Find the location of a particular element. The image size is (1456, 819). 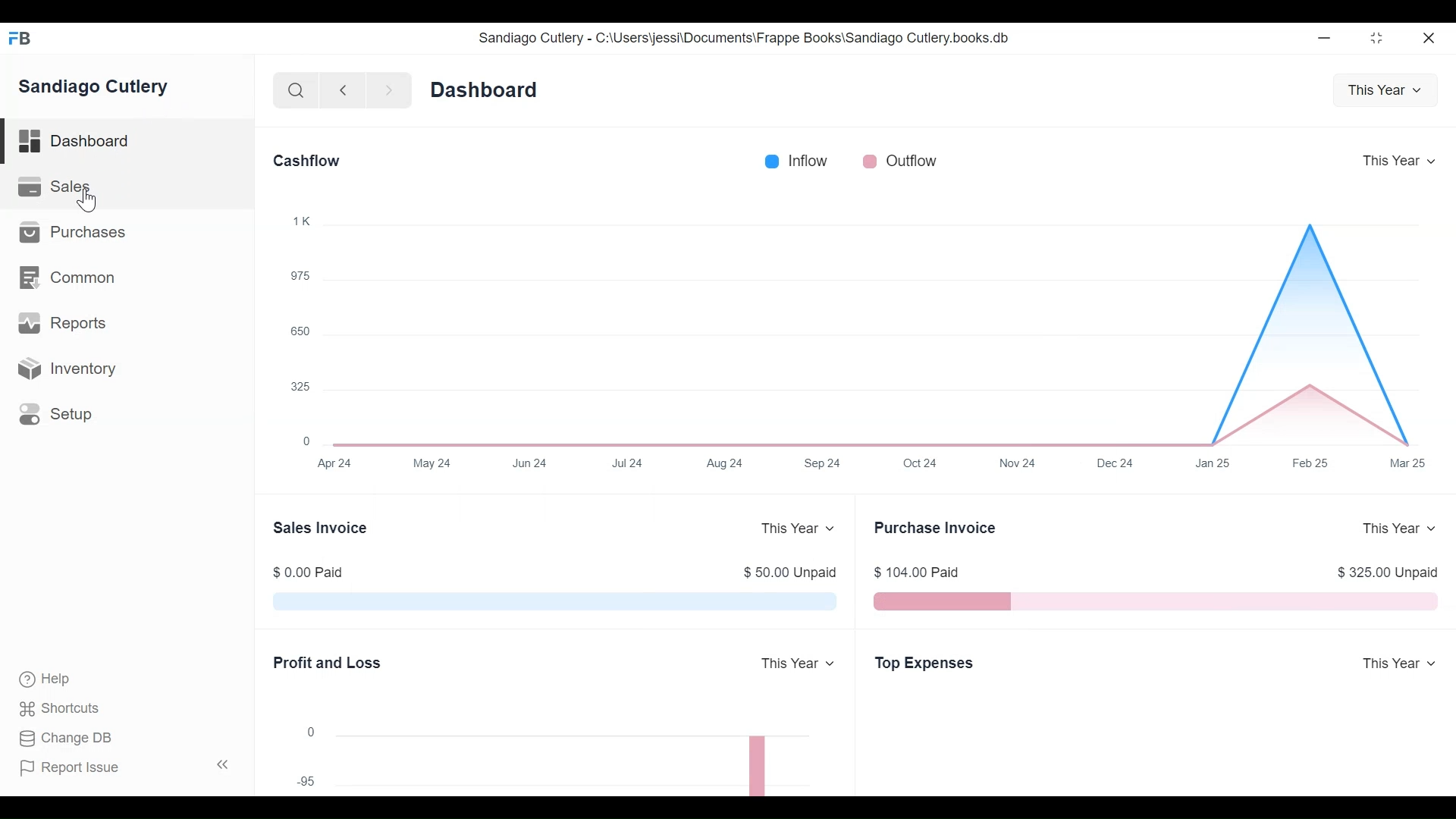

Profit and Loss is located at coordinates (328, 663).